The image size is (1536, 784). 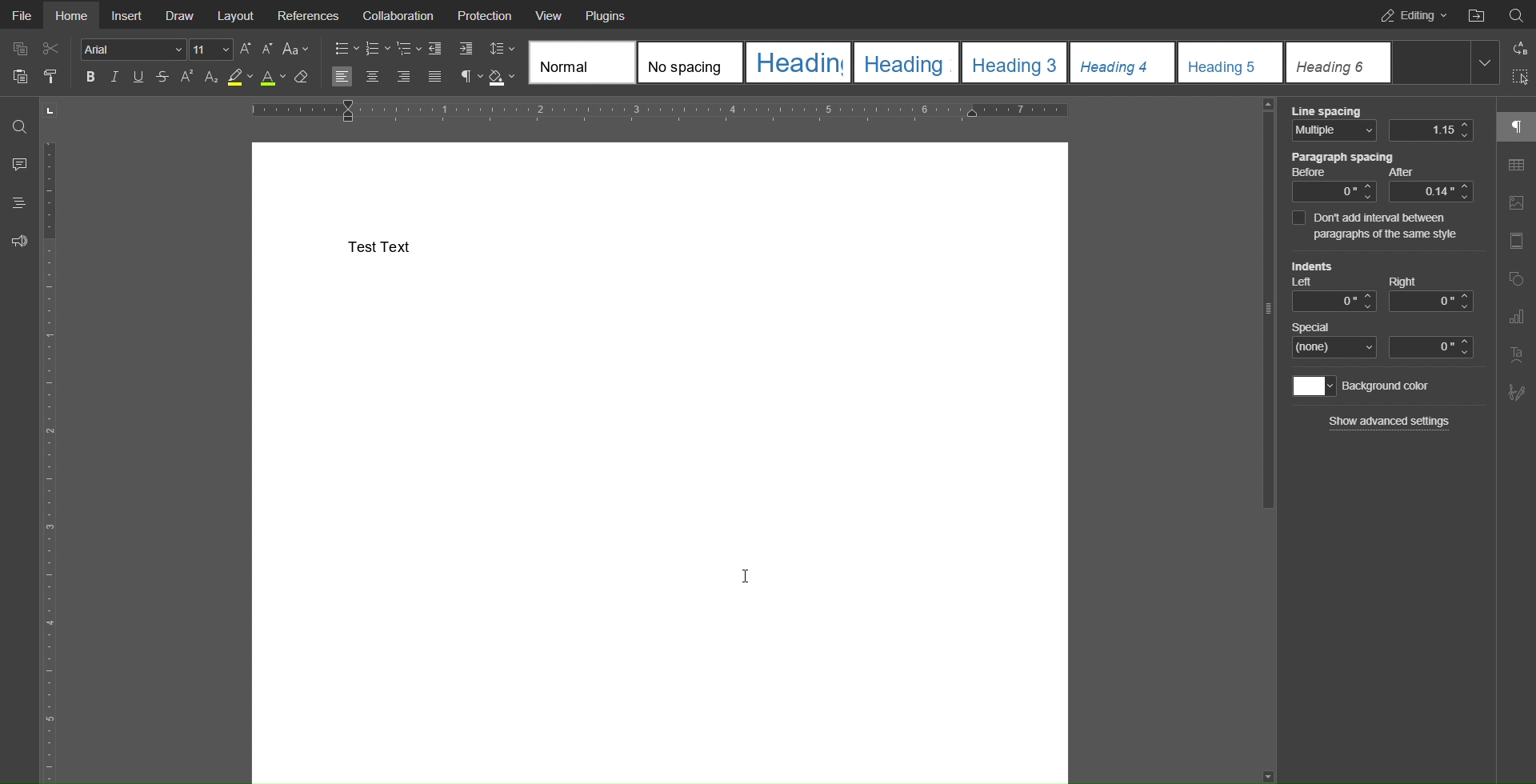 What do you see at coordinates (1477, 14) in the screenshot?
I see `Open File Location` at bounding box center [1477, 14].